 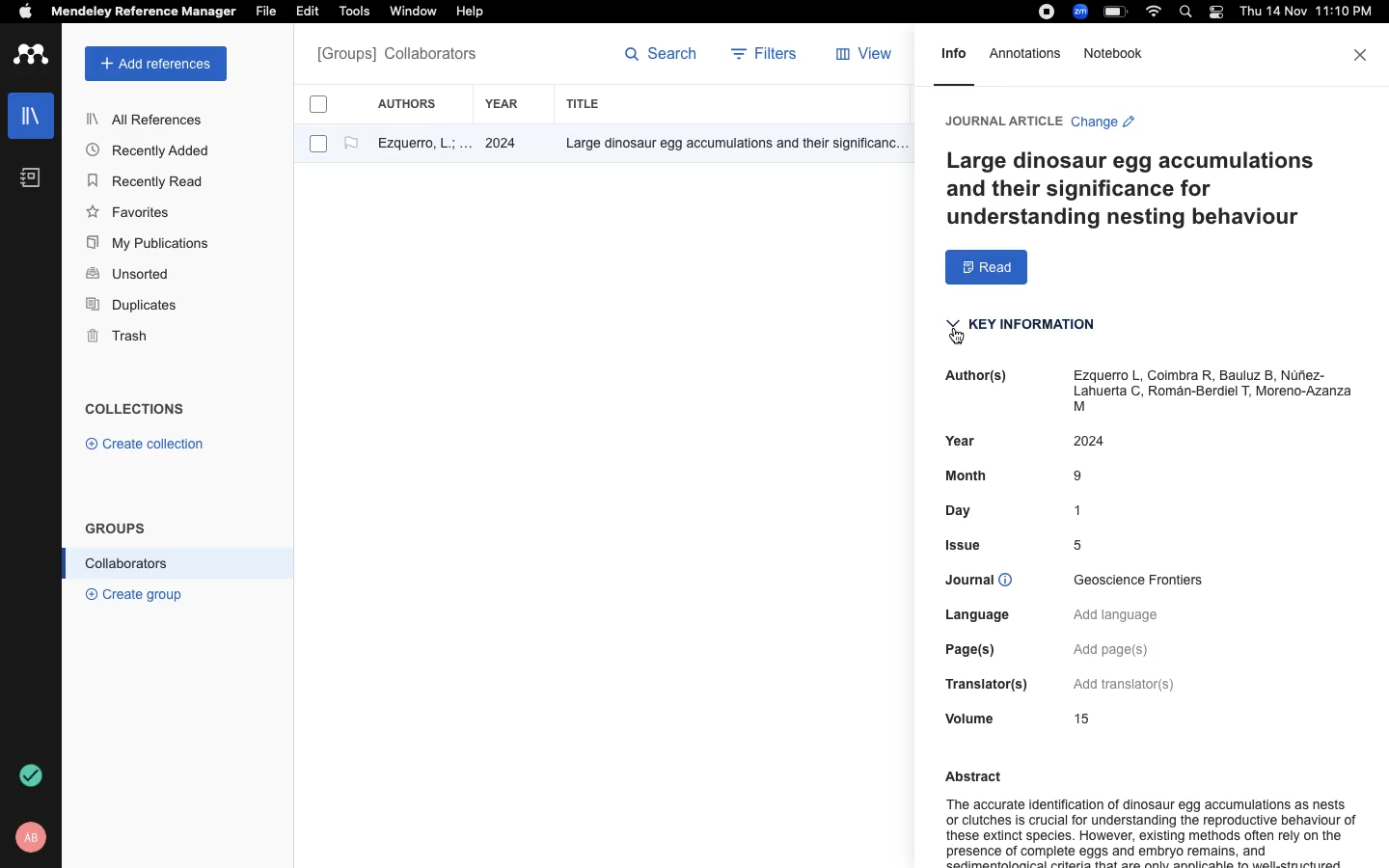 What do you see at coordinates (1125, 683) in the screenshot?
I see `Add translator(s)` at bounding box center [1125, 683].